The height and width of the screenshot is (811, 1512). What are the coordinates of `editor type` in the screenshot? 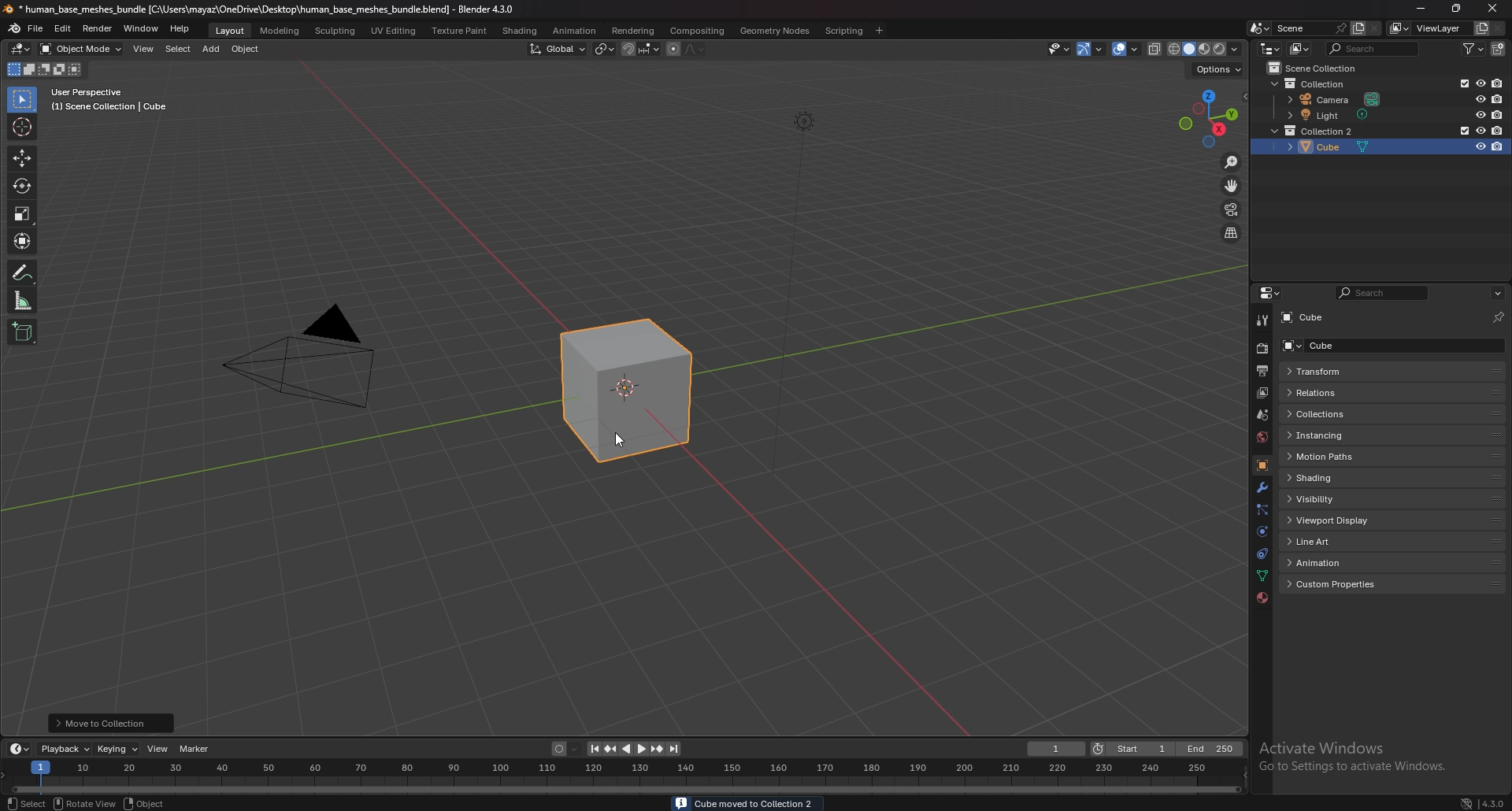 It's located at (1270, 48).